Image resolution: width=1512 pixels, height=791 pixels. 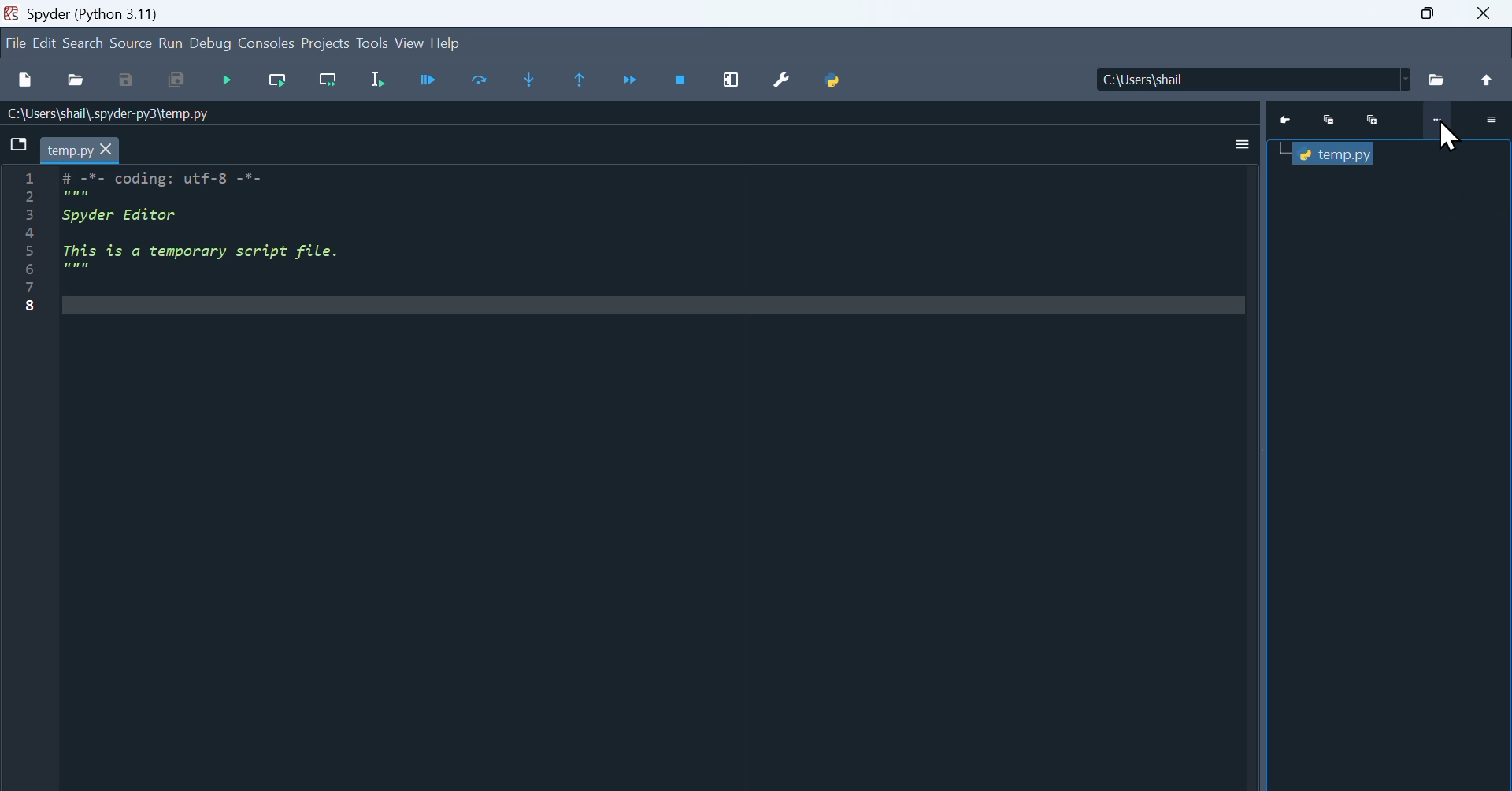 What do you see at coordinates (632, 82) in the screenshot?
I see `Continue execution until next breakpoint` at bounding box center [632, 82].